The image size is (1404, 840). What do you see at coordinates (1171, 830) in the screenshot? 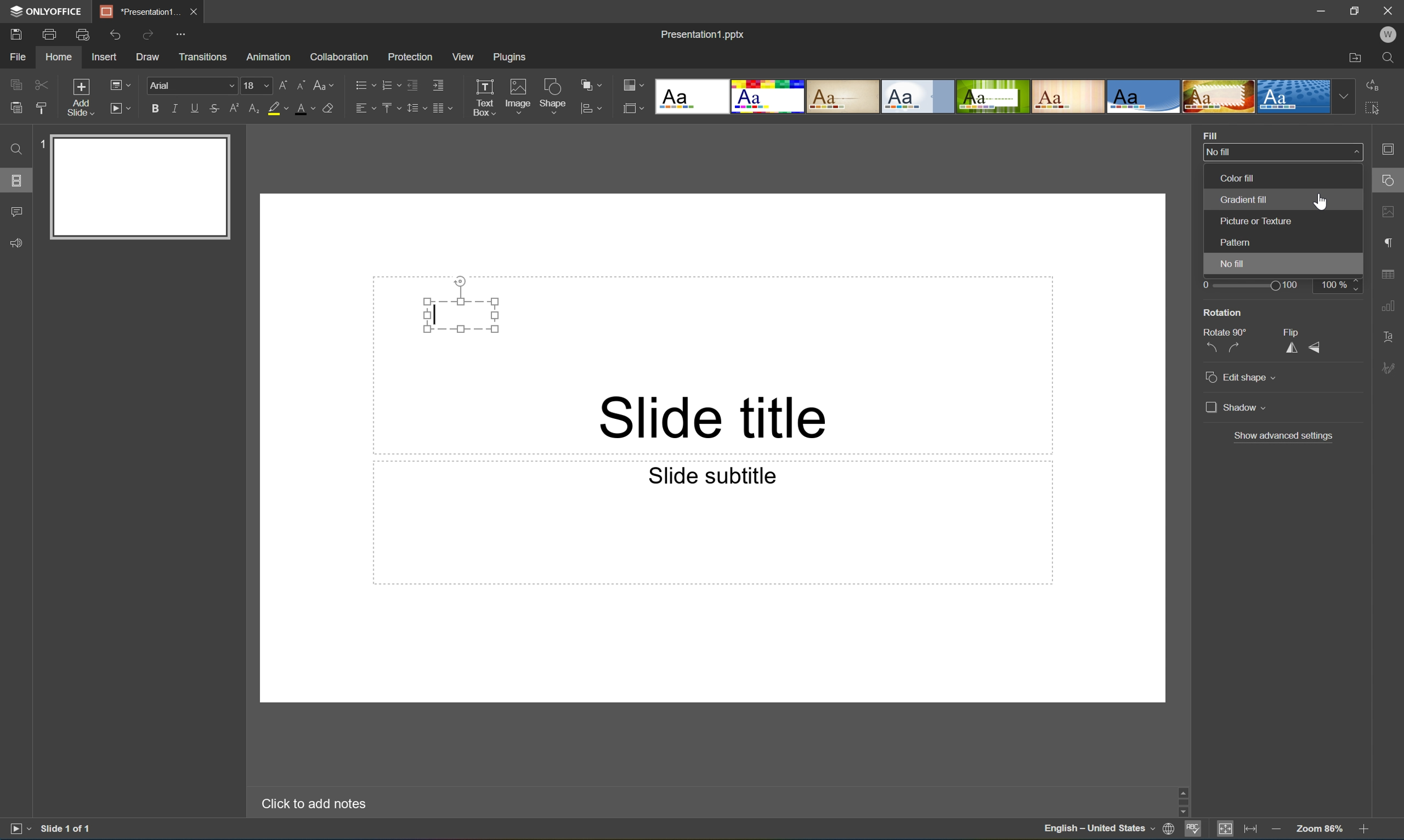
I see `Set document language` at bounding box center [1171, 830].